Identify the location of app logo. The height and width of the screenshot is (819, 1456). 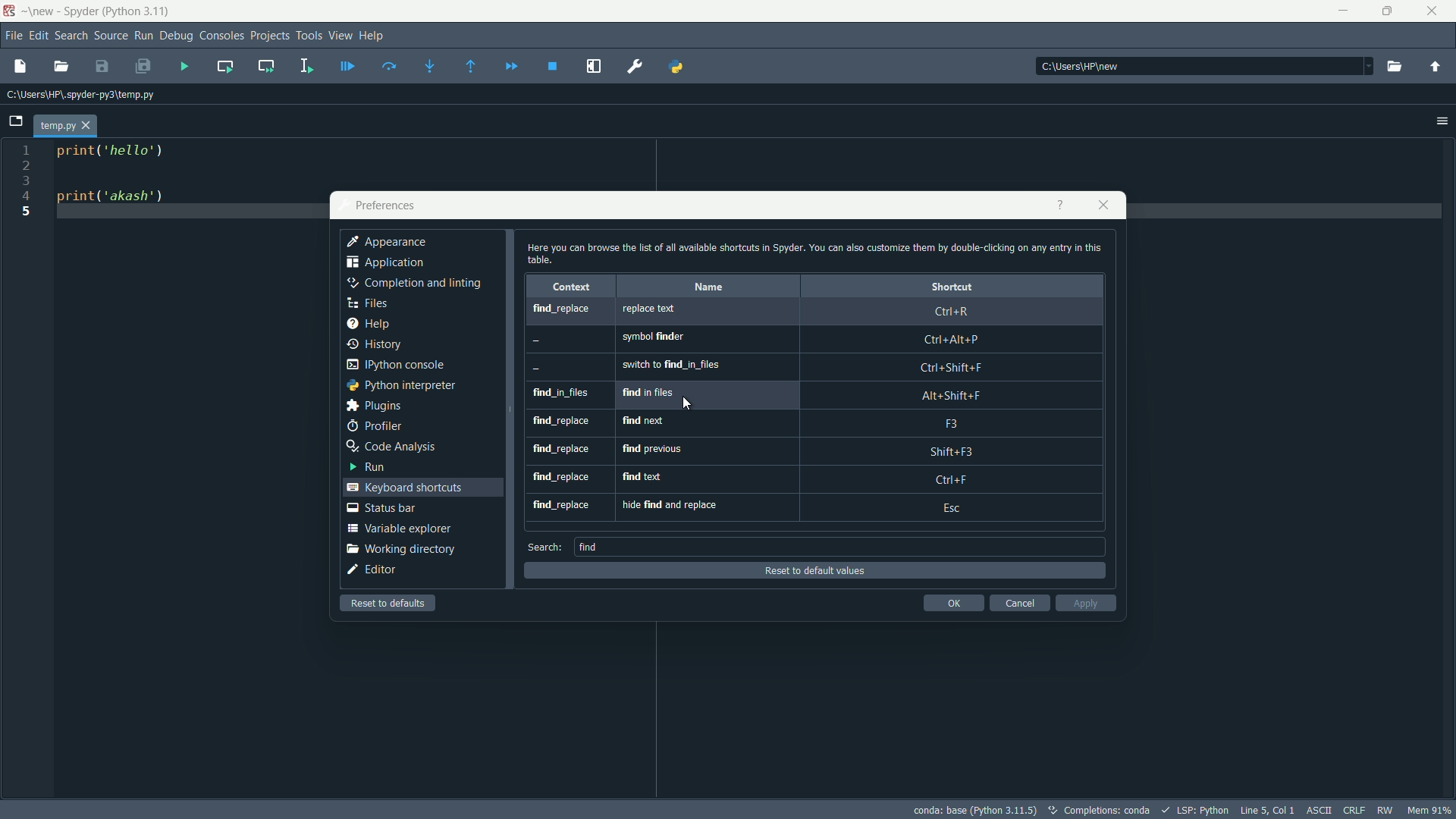
(9, 11).